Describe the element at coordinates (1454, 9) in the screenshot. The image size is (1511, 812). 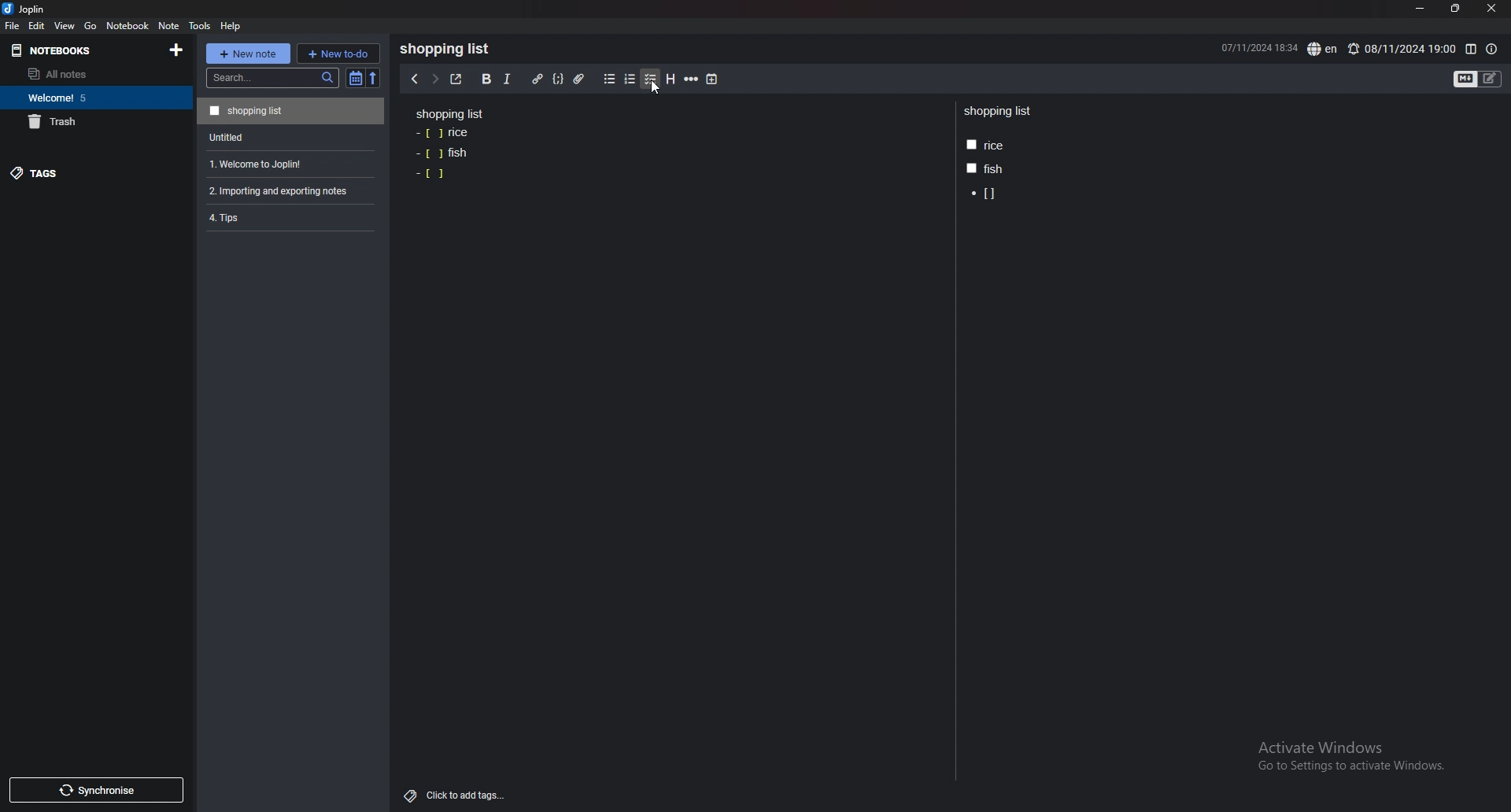
I see `resize` at that location.